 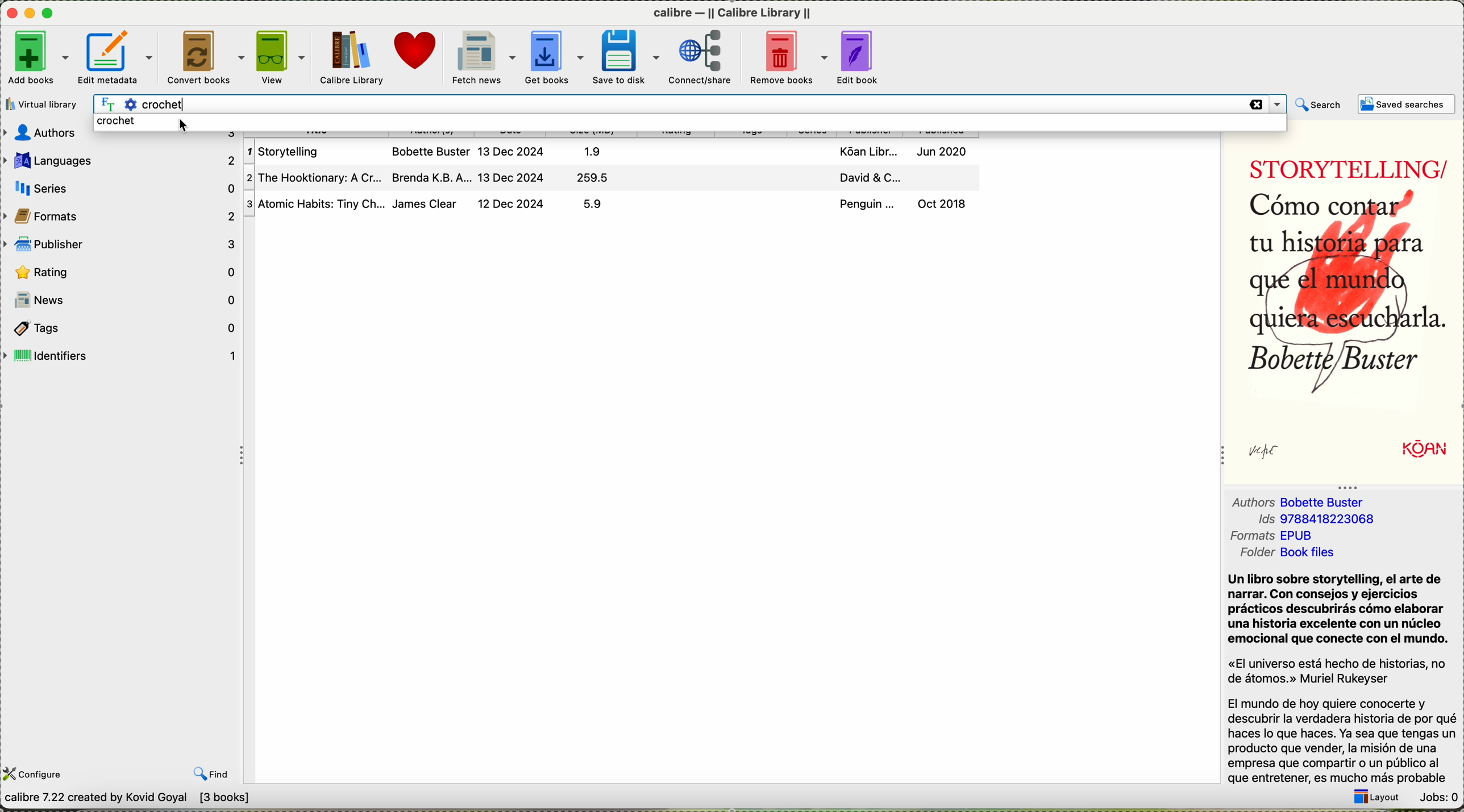 I want to click on Koan Libr, so click(x=865, y=151).